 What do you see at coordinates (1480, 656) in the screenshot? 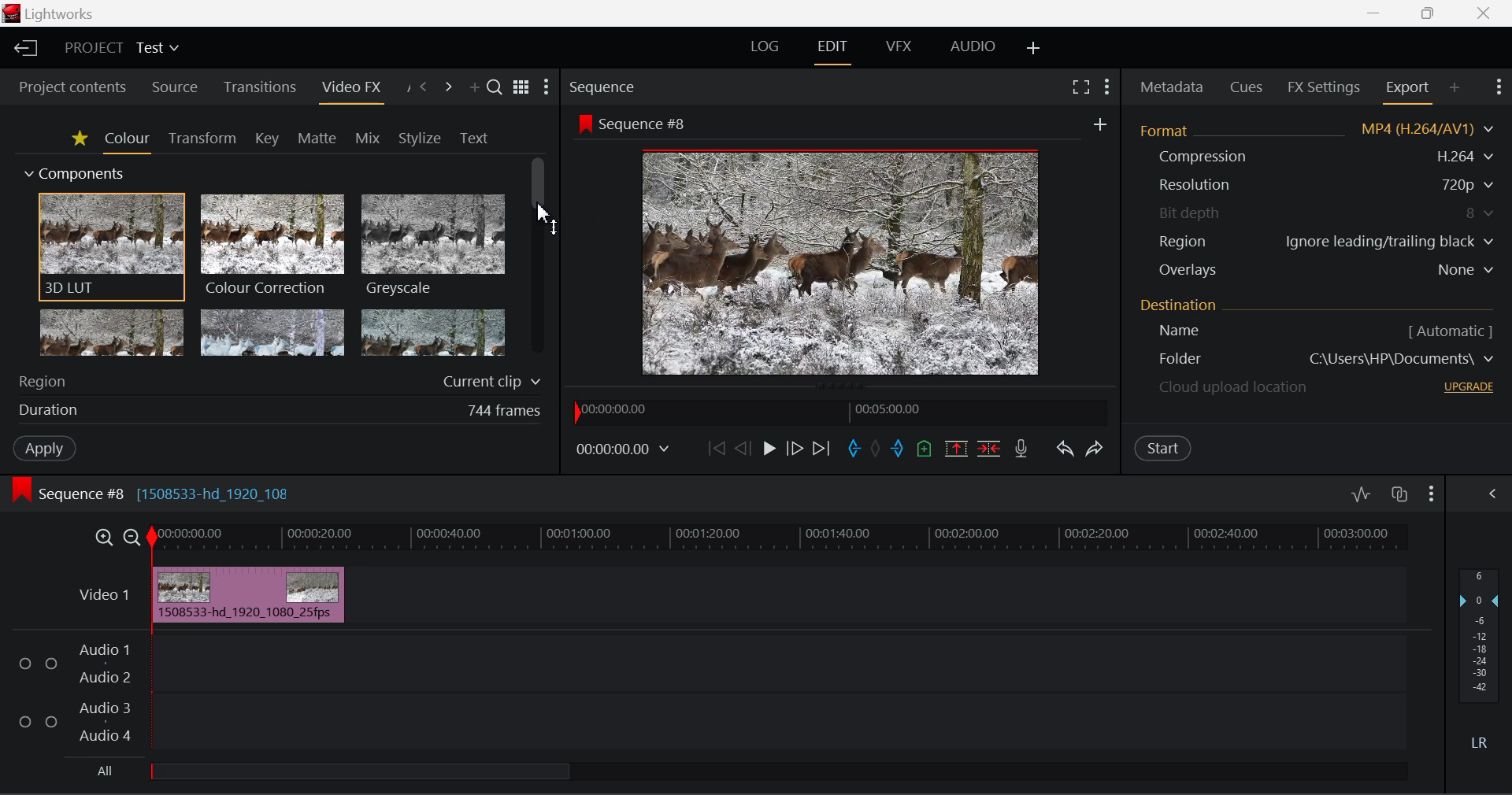
I see `Decibel Level` at bounding box center [1480, 656].